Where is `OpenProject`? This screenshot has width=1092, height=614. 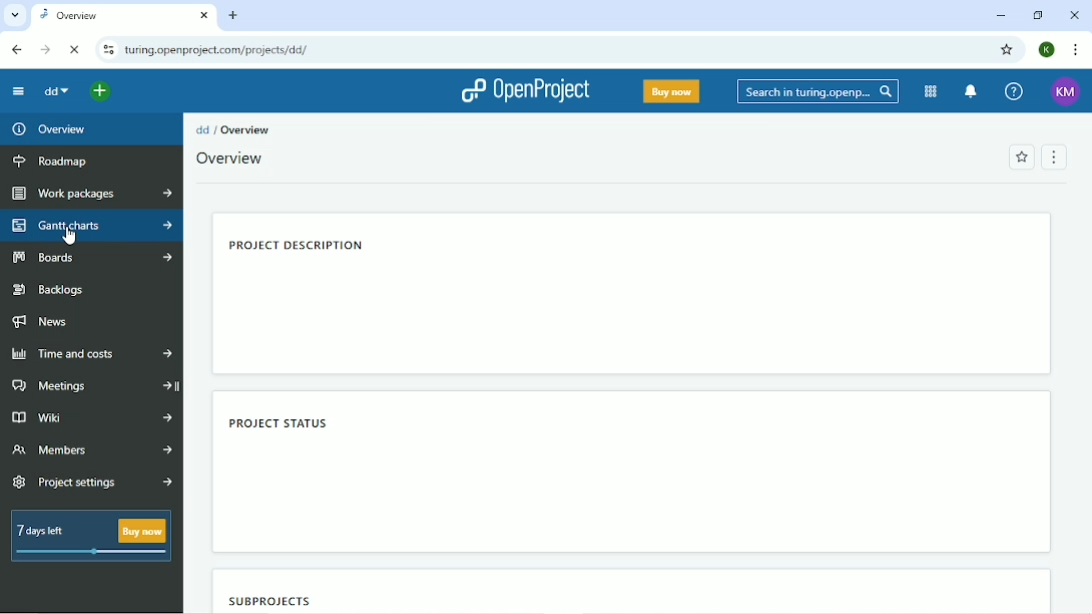
OpenProject is located at coordinates (527, 91).